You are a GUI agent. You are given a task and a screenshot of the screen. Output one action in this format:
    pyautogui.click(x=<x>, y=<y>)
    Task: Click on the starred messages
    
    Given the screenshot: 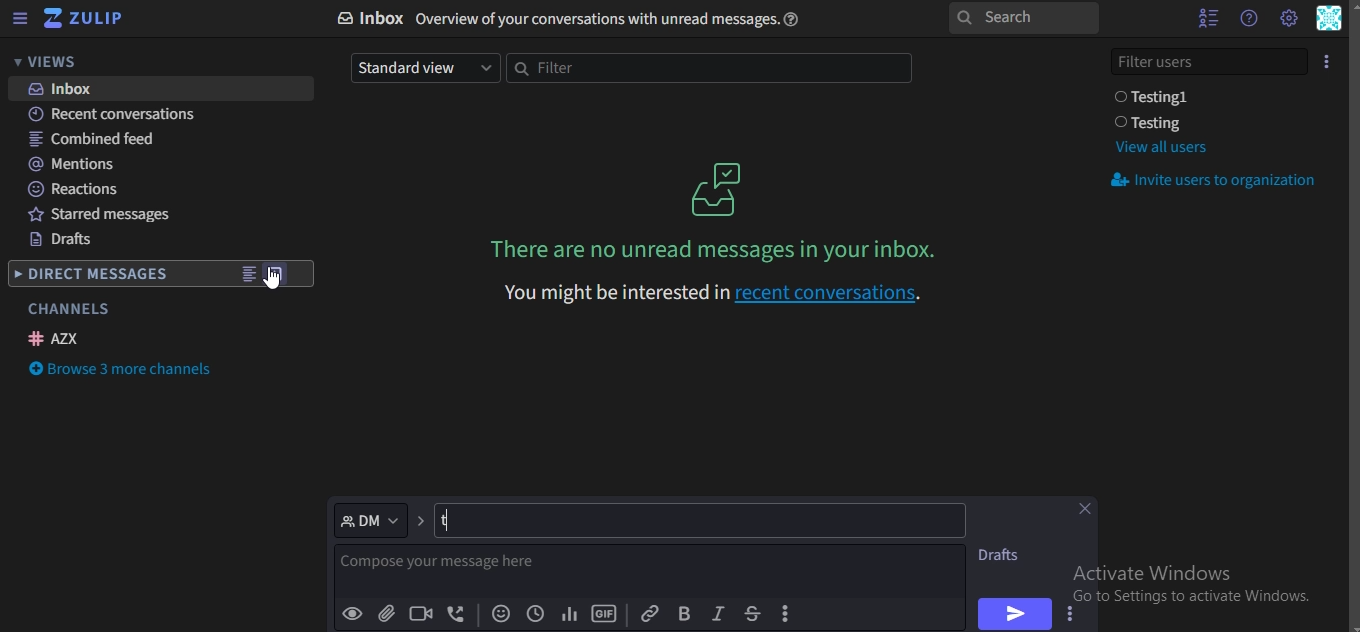 What is the action you would take?
    pyautogui.click(x=108, y=217)
    